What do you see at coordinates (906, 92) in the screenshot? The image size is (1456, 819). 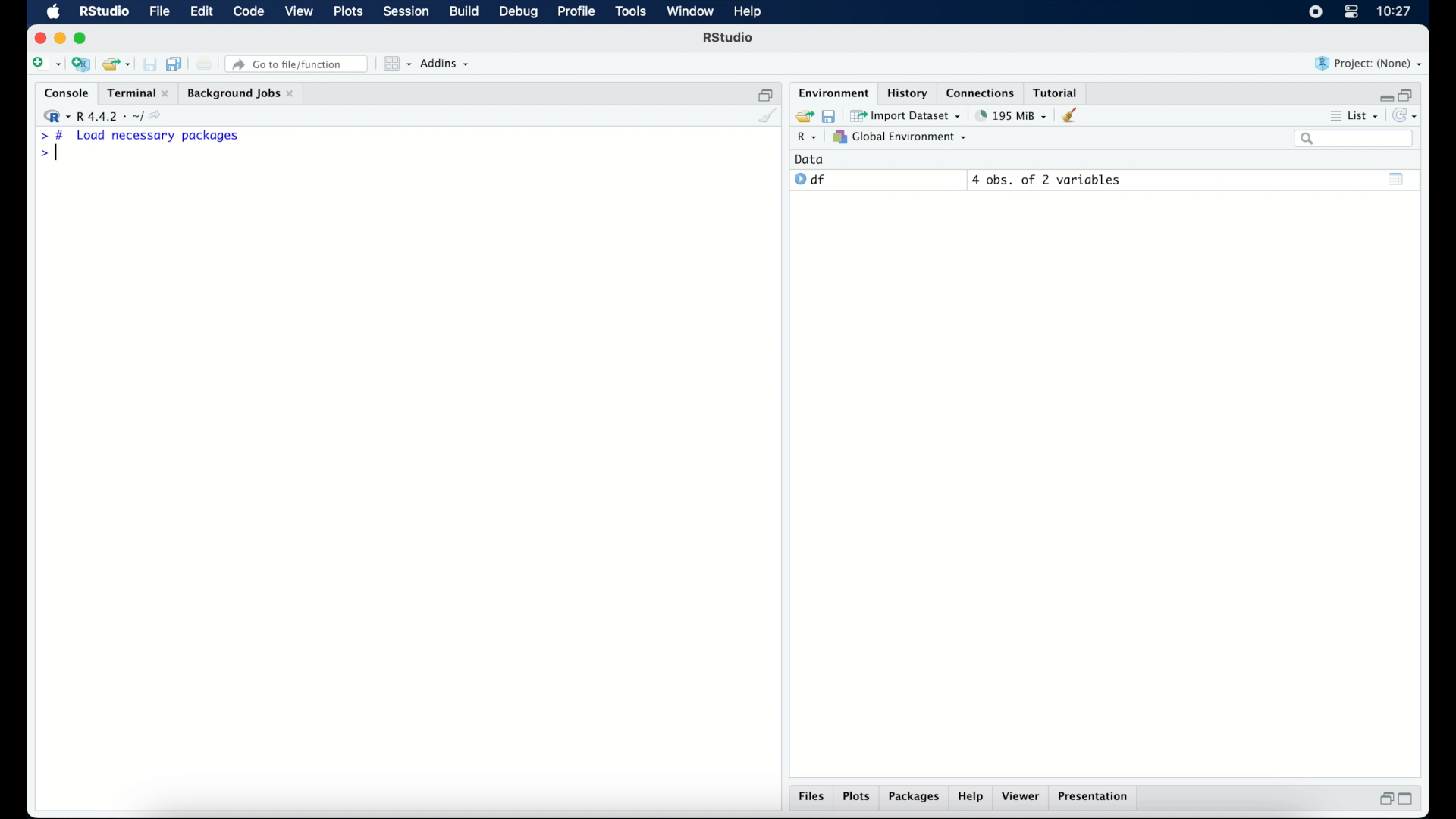 I see `history` at bounding box center [906, 92].